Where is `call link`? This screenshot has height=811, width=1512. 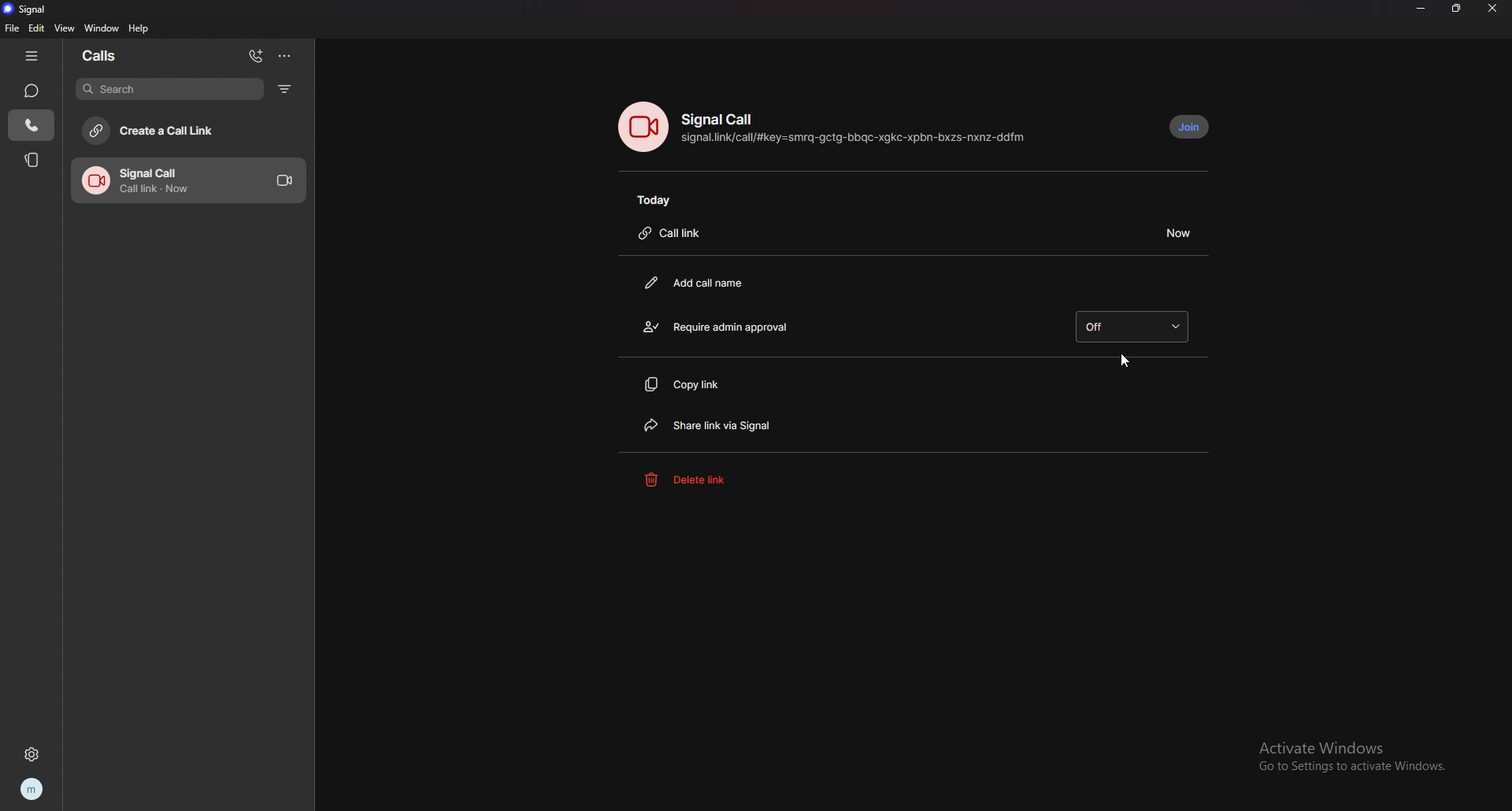 call link is located at coordinates (674, 233).